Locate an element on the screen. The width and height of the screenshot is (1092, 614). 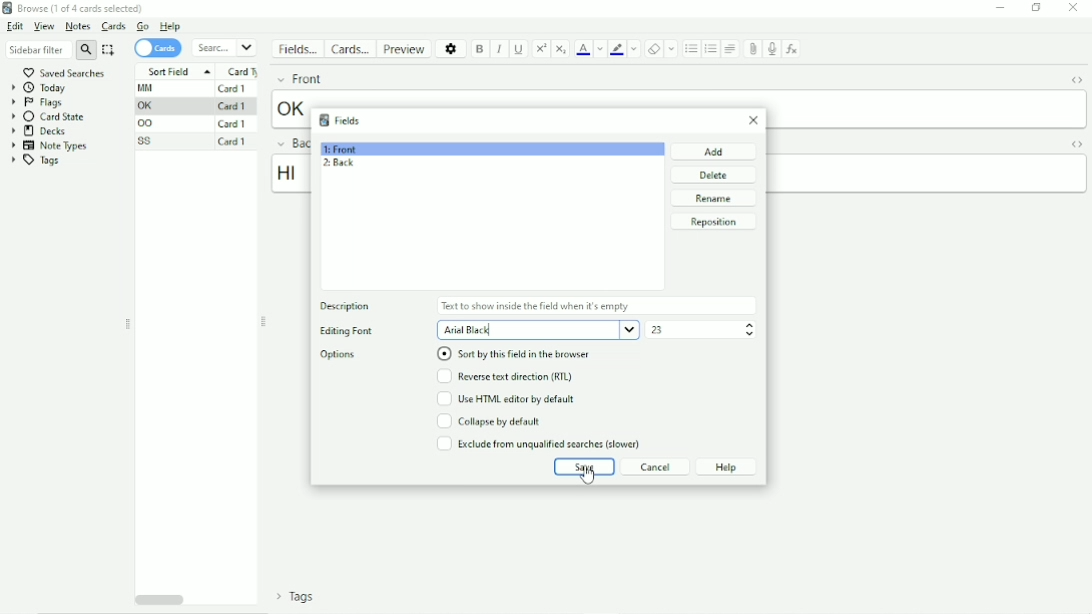
Fields is located at coordinates (341, 119).